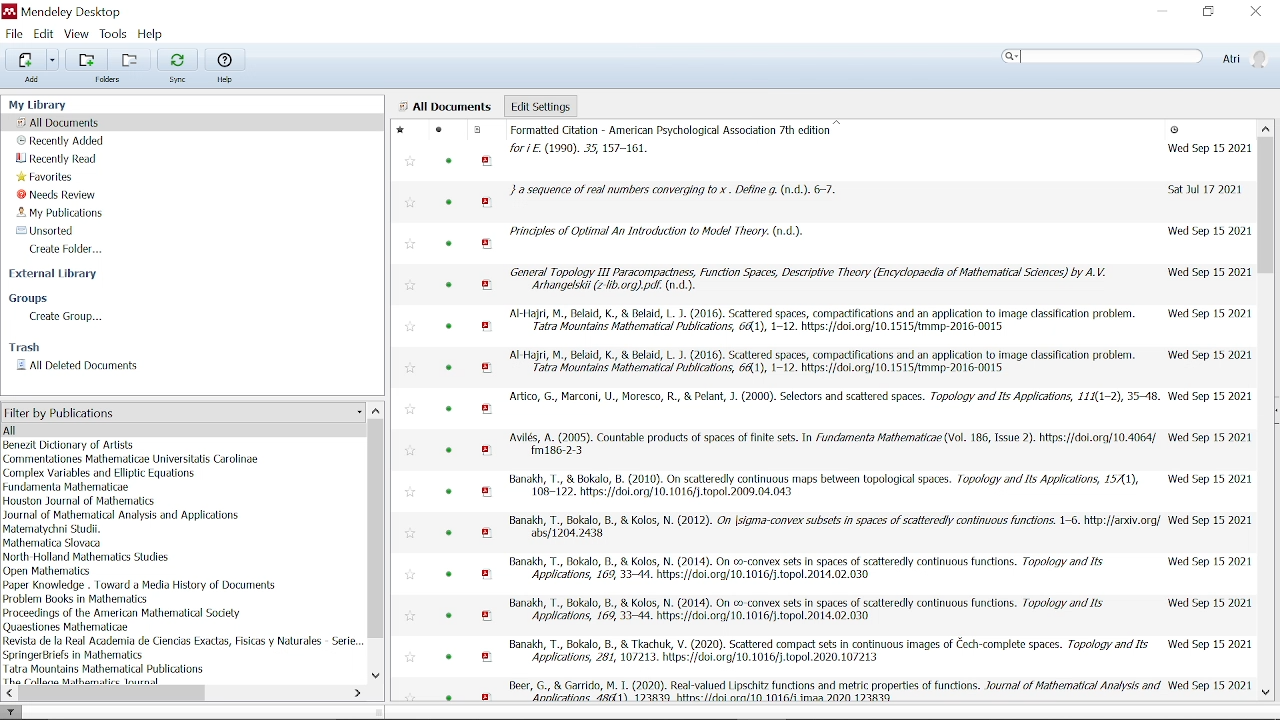 Image resolution: width=1280 pixels, height=720 pixels. Describe the element at coordinates (412, 410) in the screenshot. I see `favourite` at that location.